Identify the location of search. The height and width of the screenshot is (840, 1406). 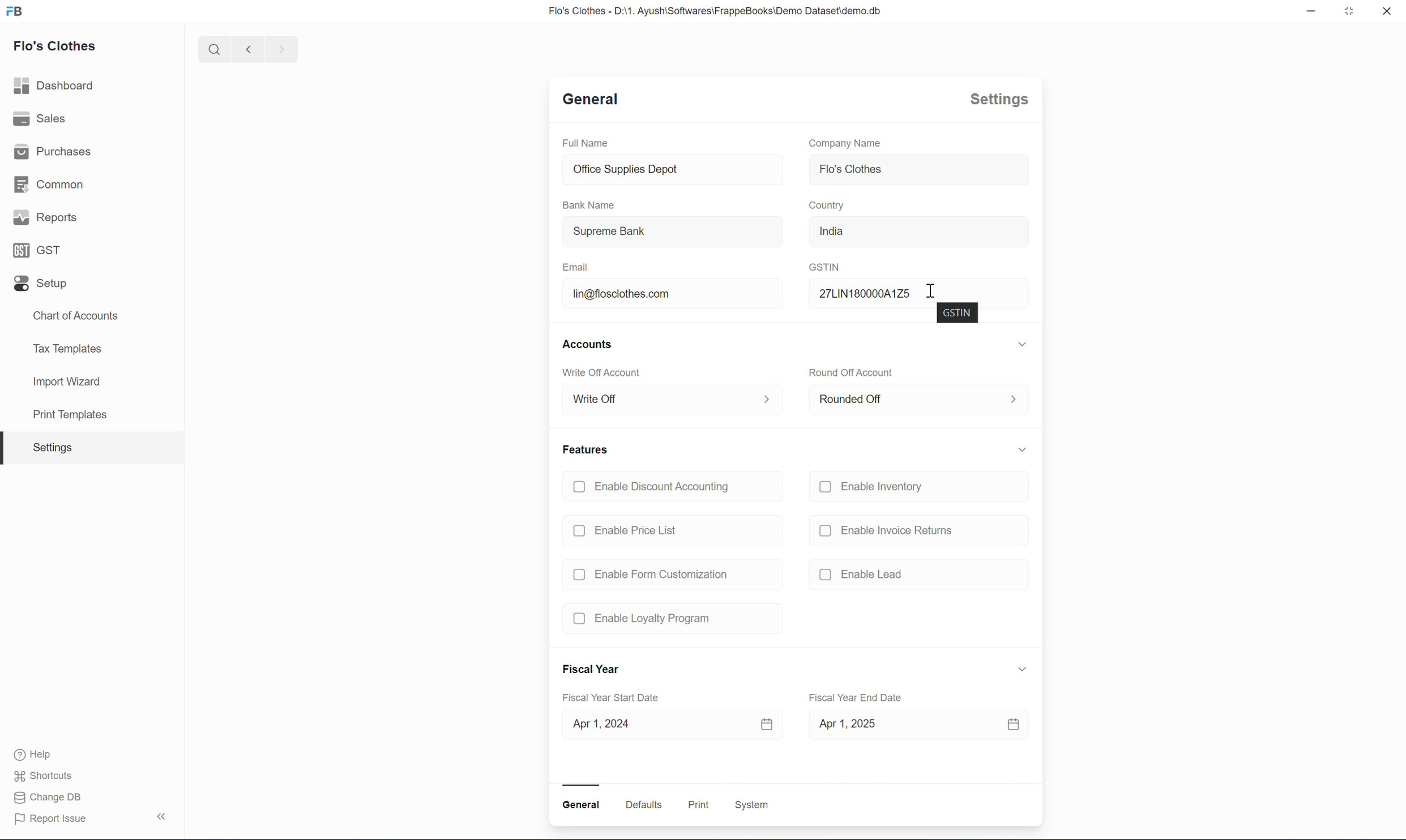
(216, 49).